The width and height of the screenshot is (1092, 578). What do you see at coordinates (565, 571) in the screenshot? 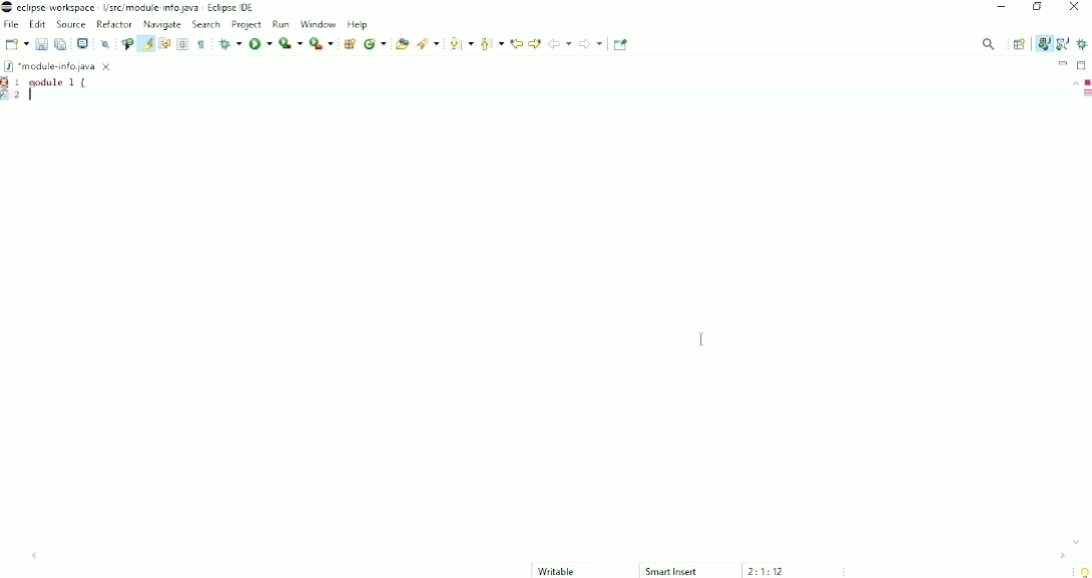
I see `Writable` at bounding box center [565, 571].